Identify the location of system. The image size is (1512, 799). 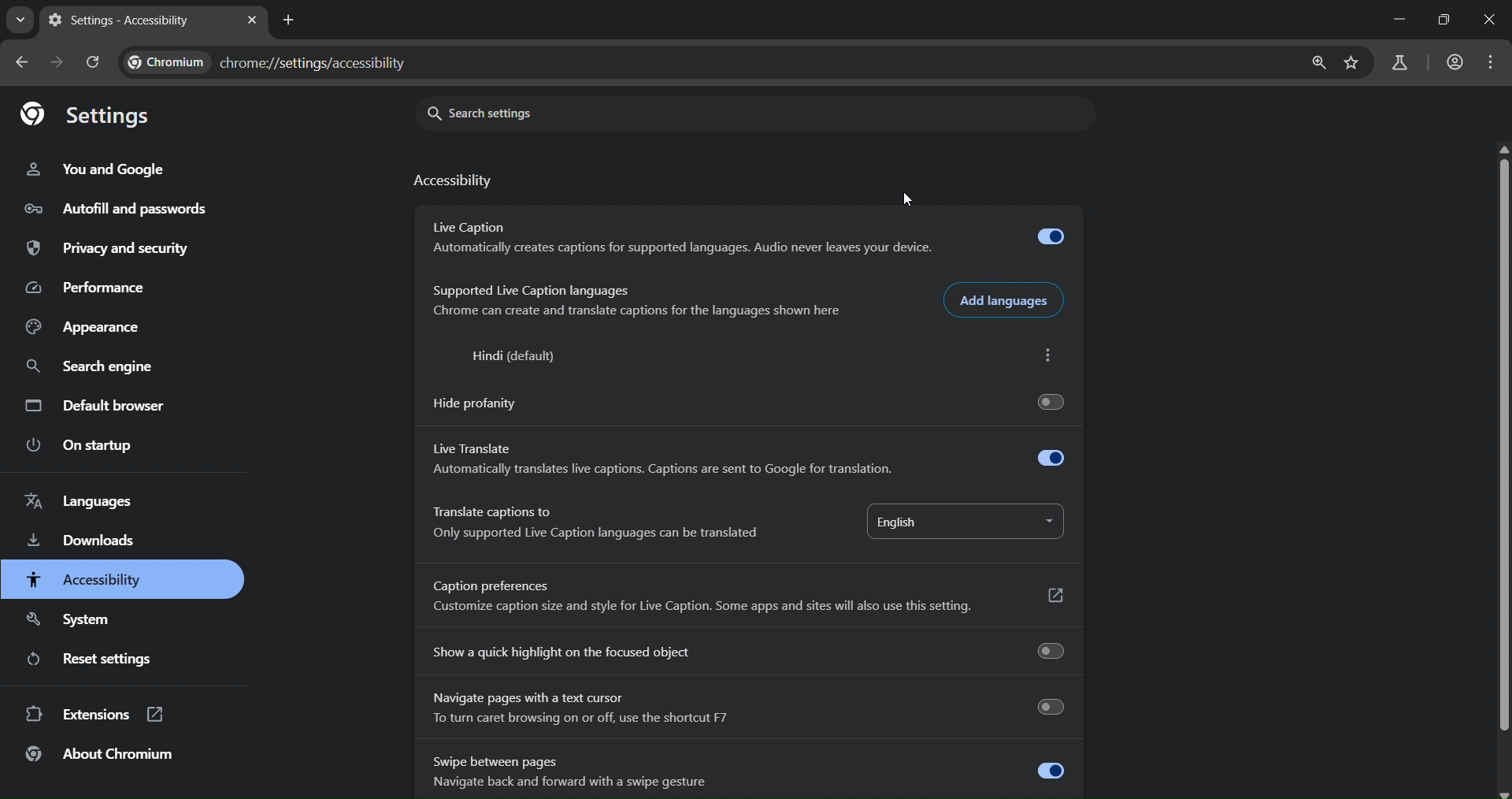
(74, 621).